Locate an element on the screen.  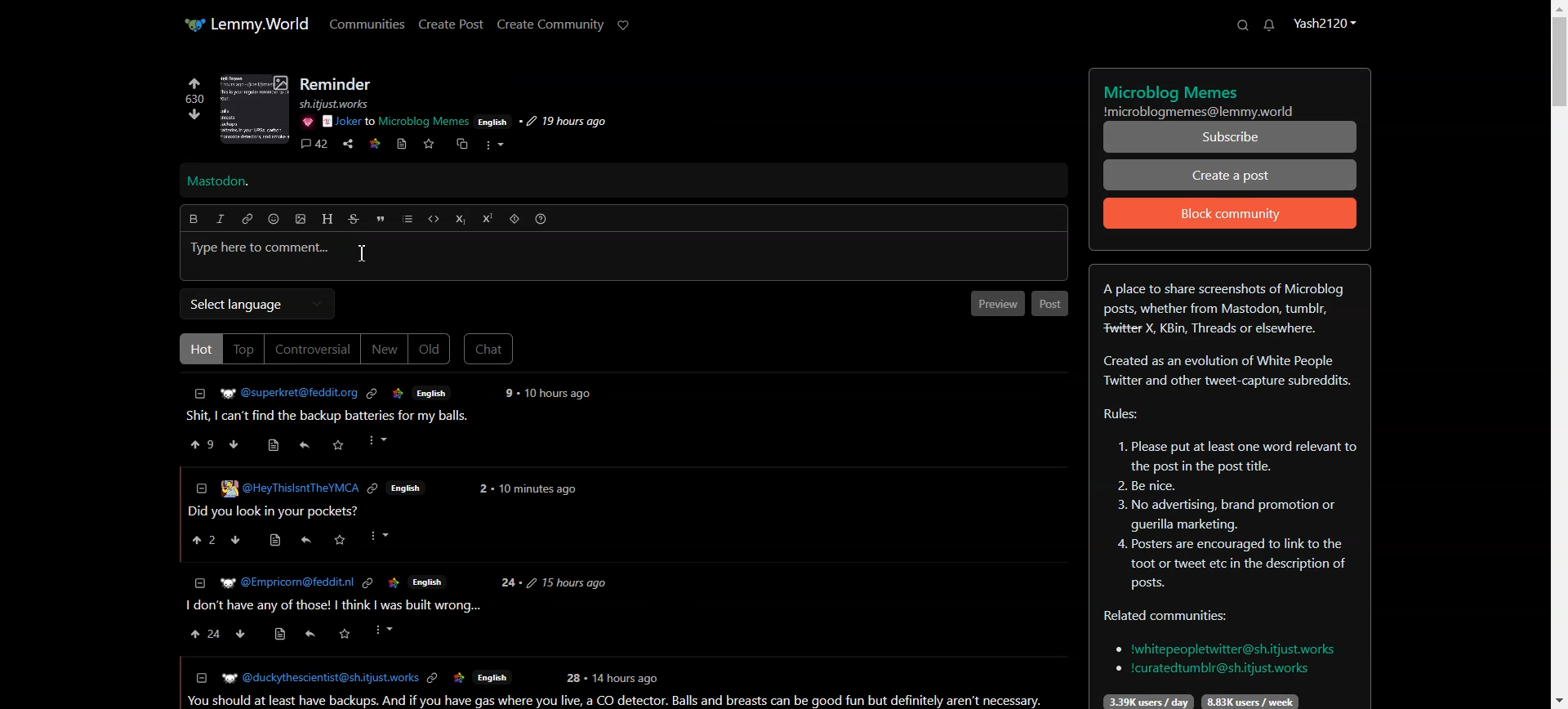
English is located at coordinates (492, 679).